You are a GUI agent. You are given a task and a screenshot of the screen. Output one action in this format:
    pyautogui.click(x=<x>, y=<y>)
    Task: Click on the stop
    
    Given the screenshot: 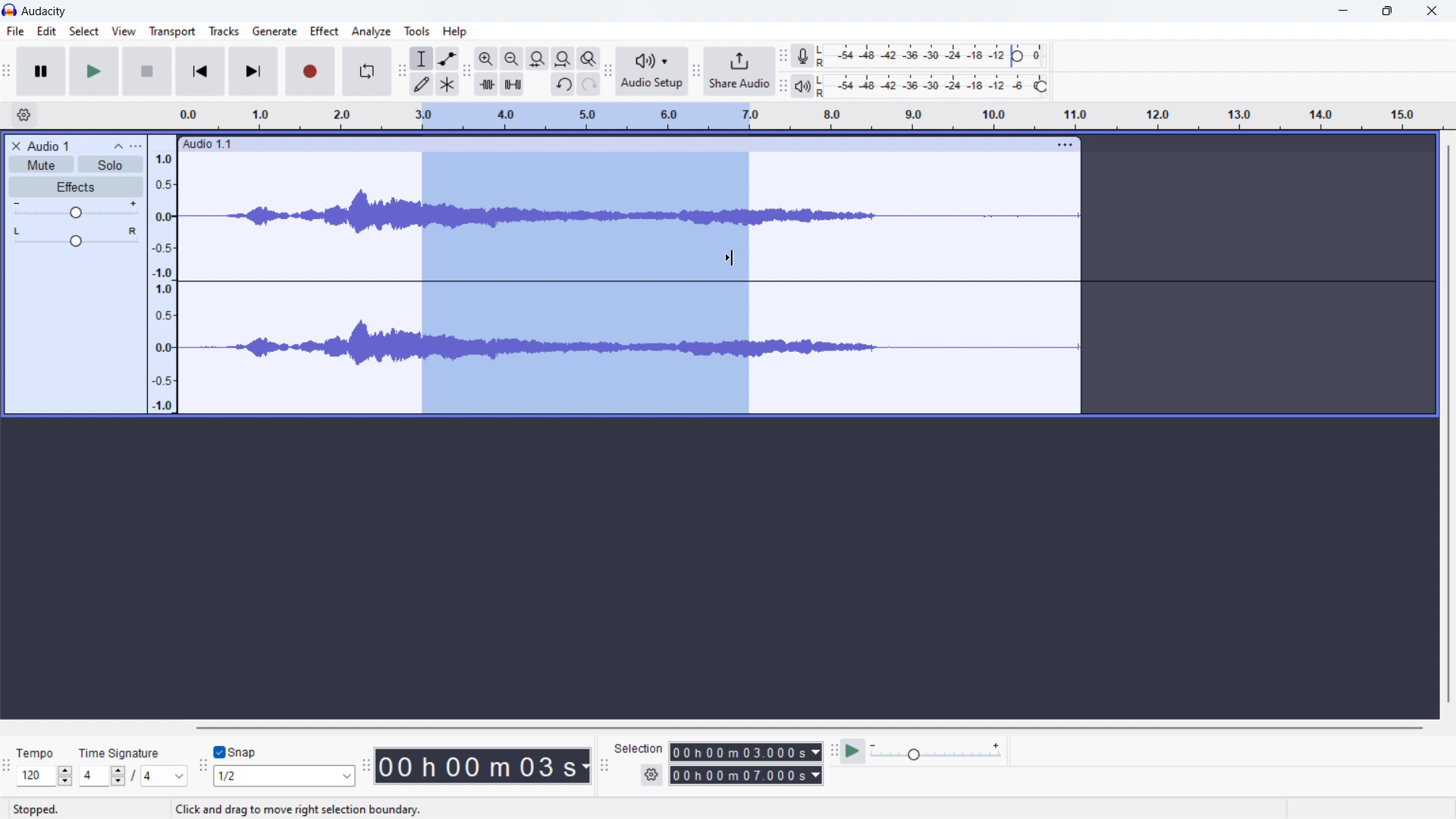 What is the action you would take?
    pyautogui.click(x=147, y=71)
    